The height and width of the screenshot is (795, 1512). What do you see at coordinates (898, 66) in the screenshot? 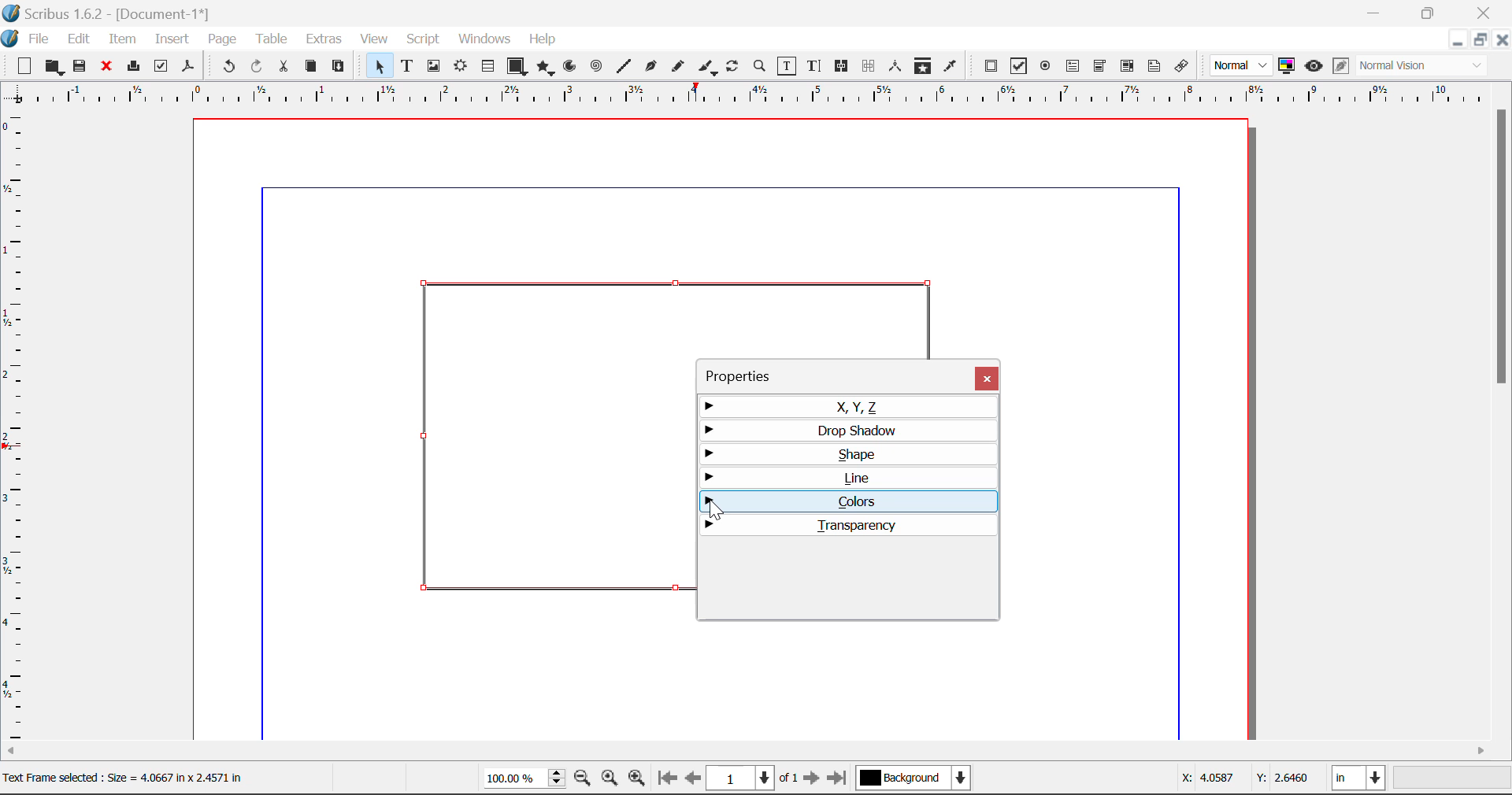
I see `Measurements` at bounding box center [898, 66].